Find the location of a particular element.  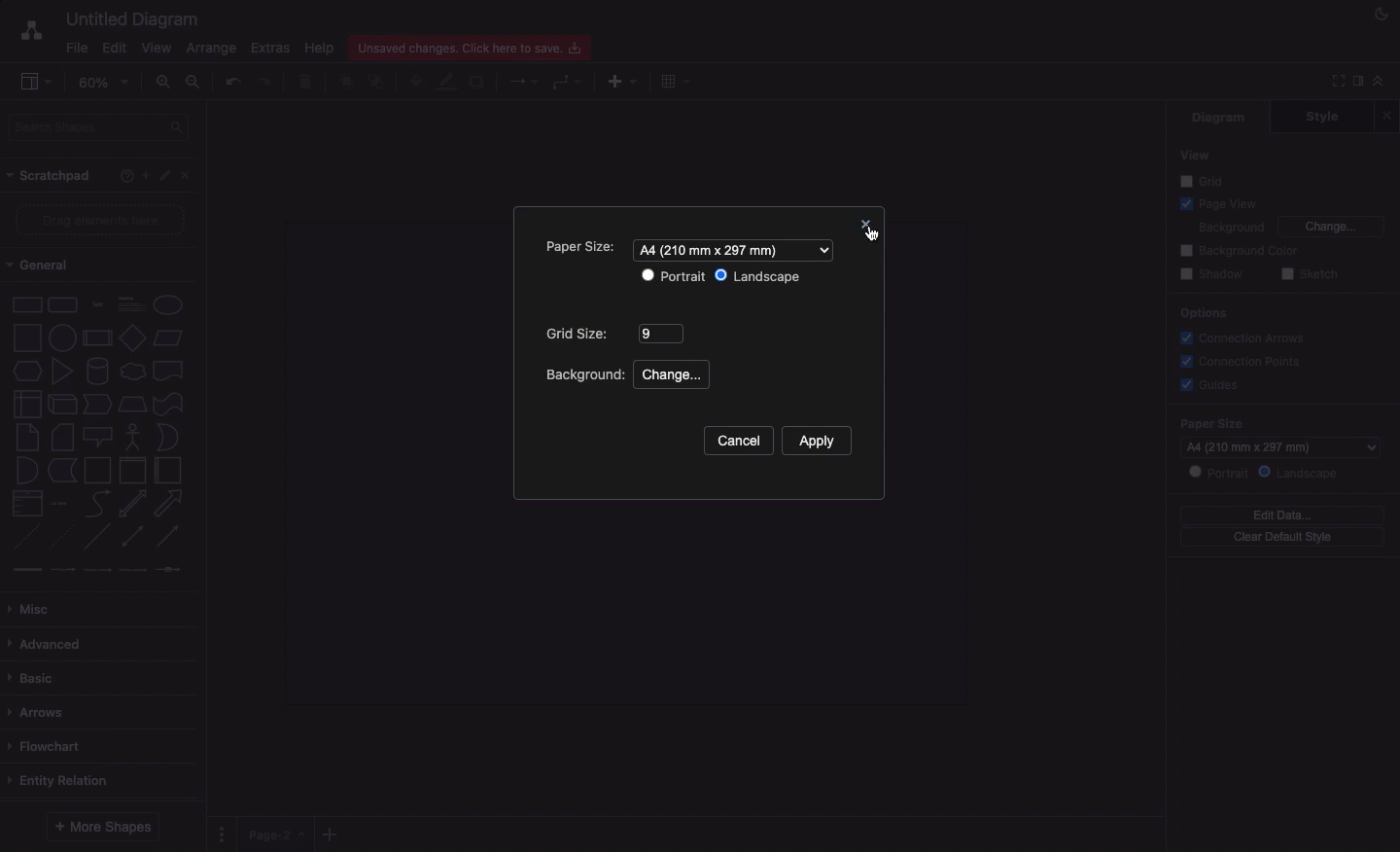

Zoom is located at coordinates (103, 81).